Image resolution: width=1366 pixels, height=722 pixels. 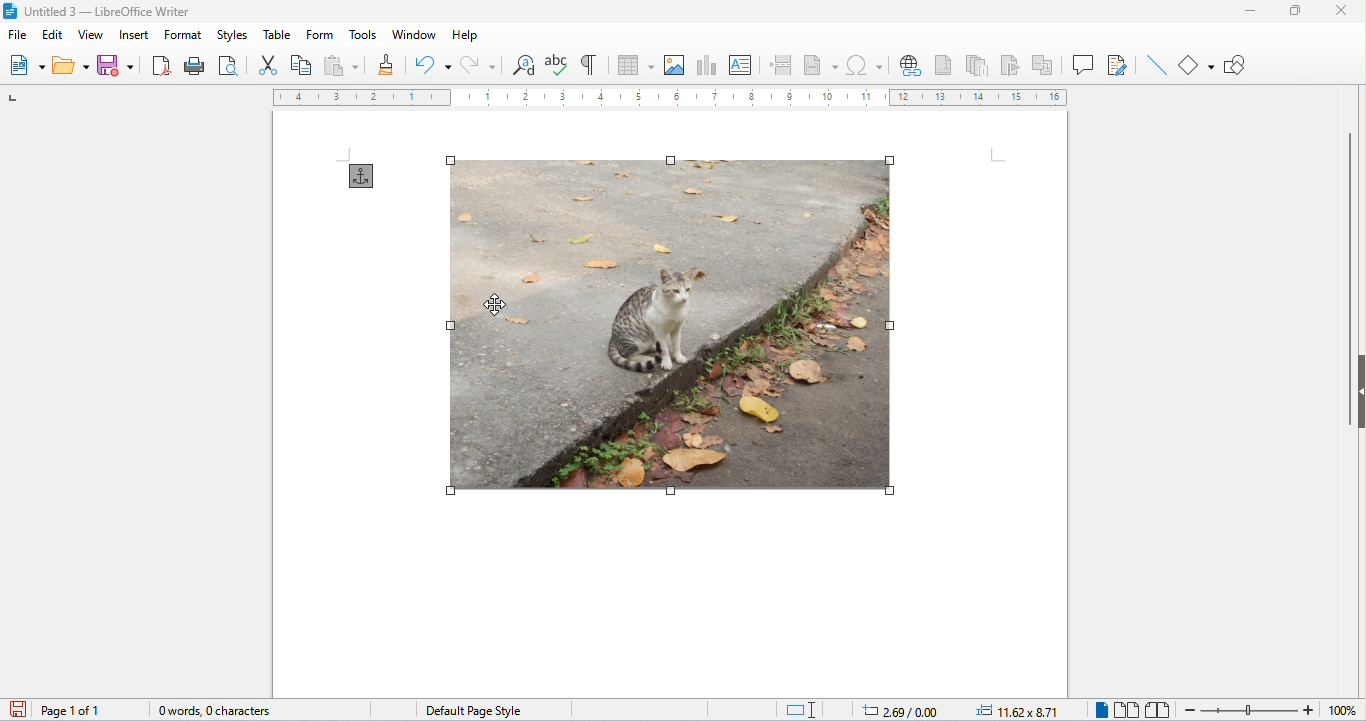 What do you see at coordinates (230, 34) in the screenshot?
I see `styles` at bounding box center [230, 34].